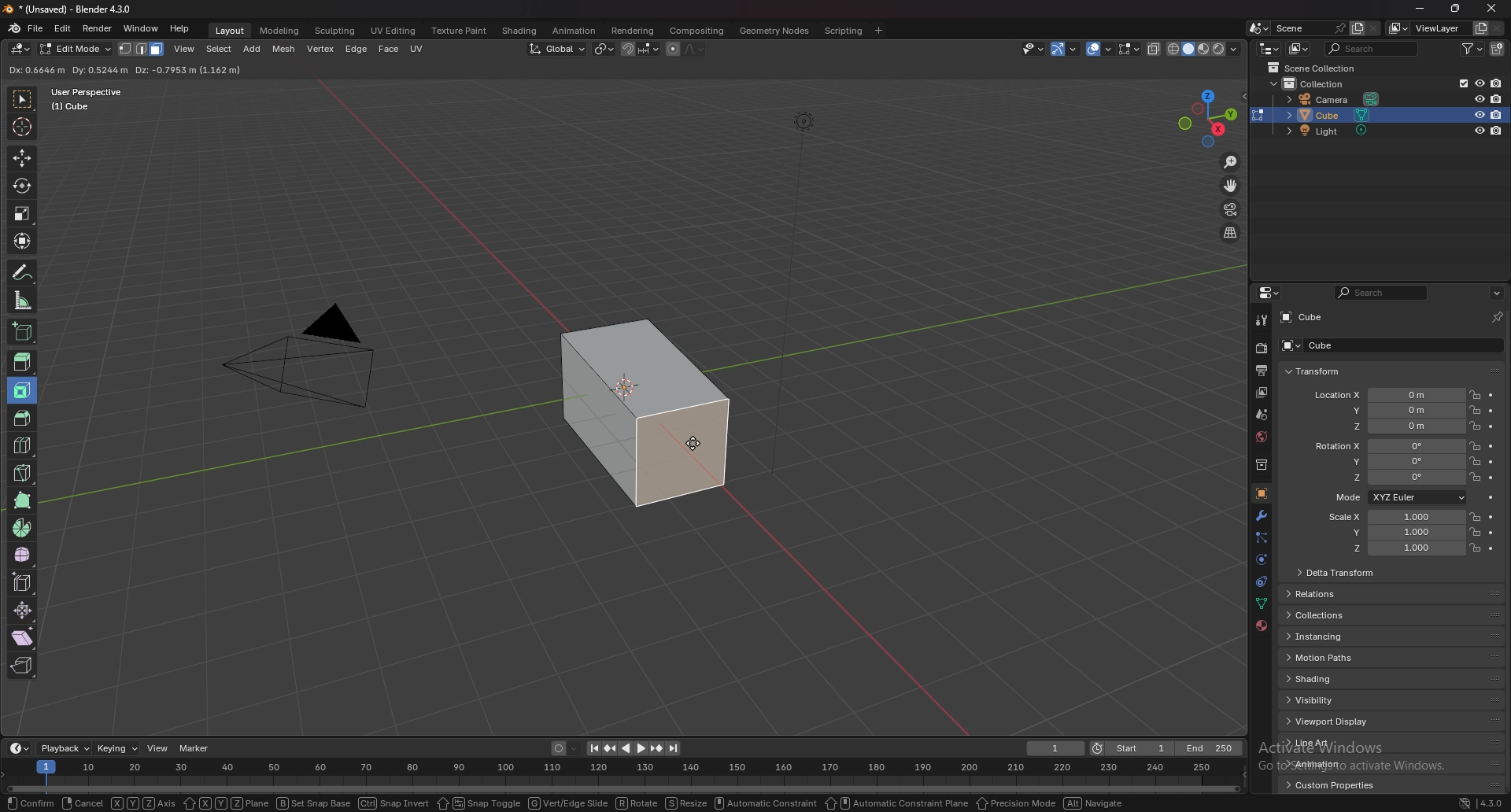 This screenshot has height=812, width=1511. What do you see at coordinates (1335, 99) in the screenshot?
I see `camera` at bounding box center [1335, 99].